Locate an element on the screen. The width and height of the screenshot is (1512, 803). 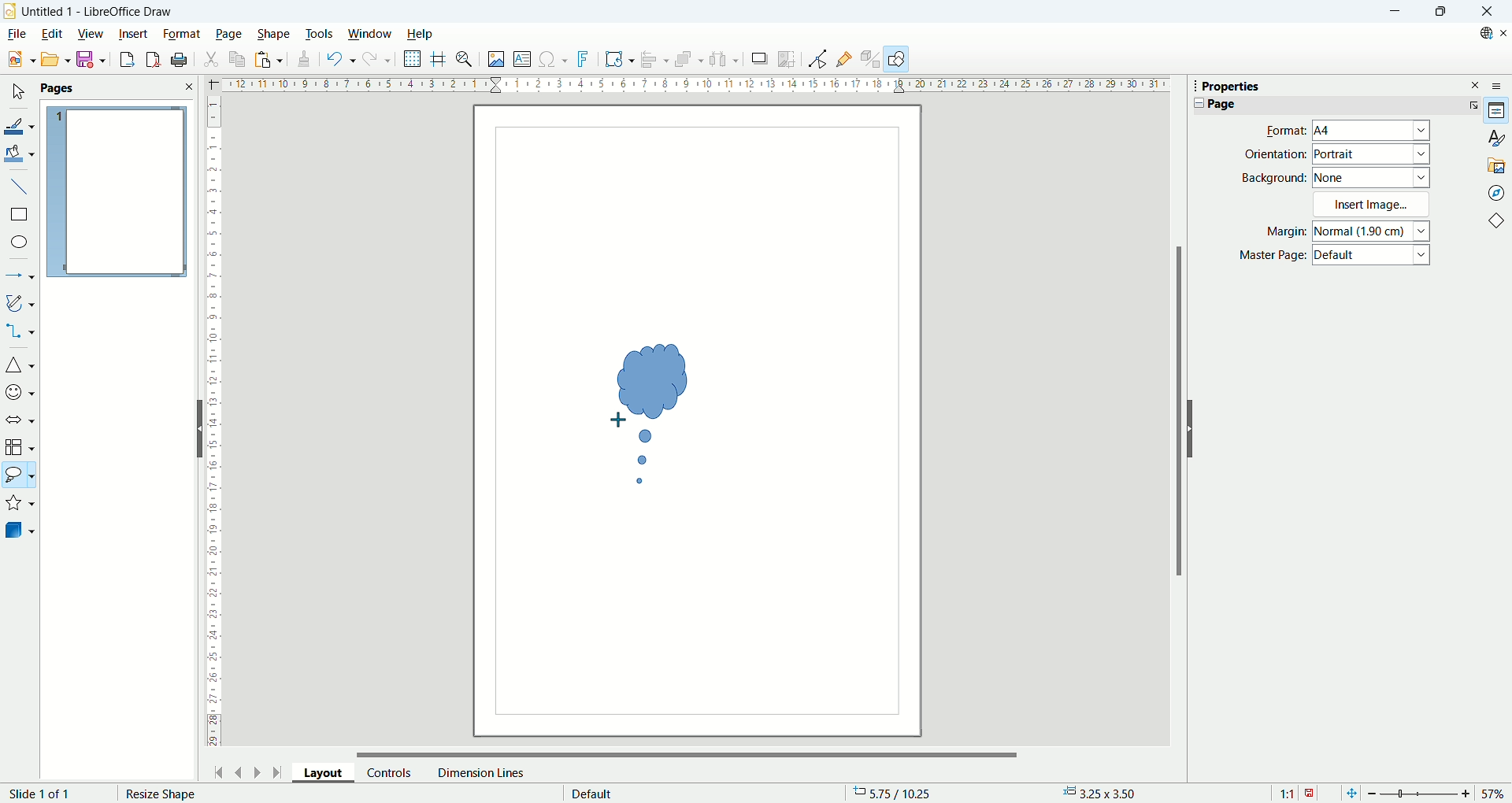
flowchart is located at coordinates (20, 447).